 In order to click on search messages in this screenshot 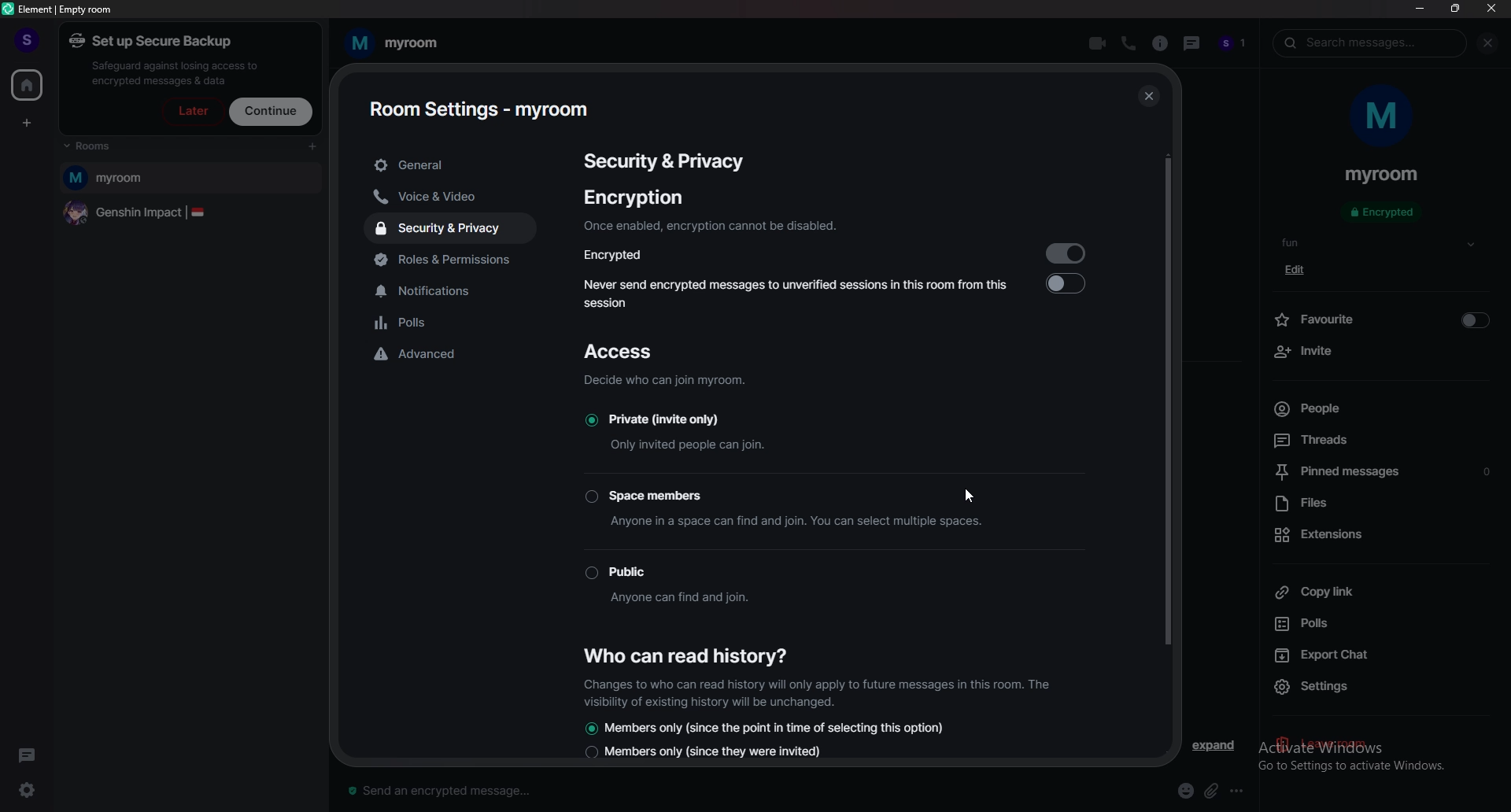, I will do `click(1374, 42)`.